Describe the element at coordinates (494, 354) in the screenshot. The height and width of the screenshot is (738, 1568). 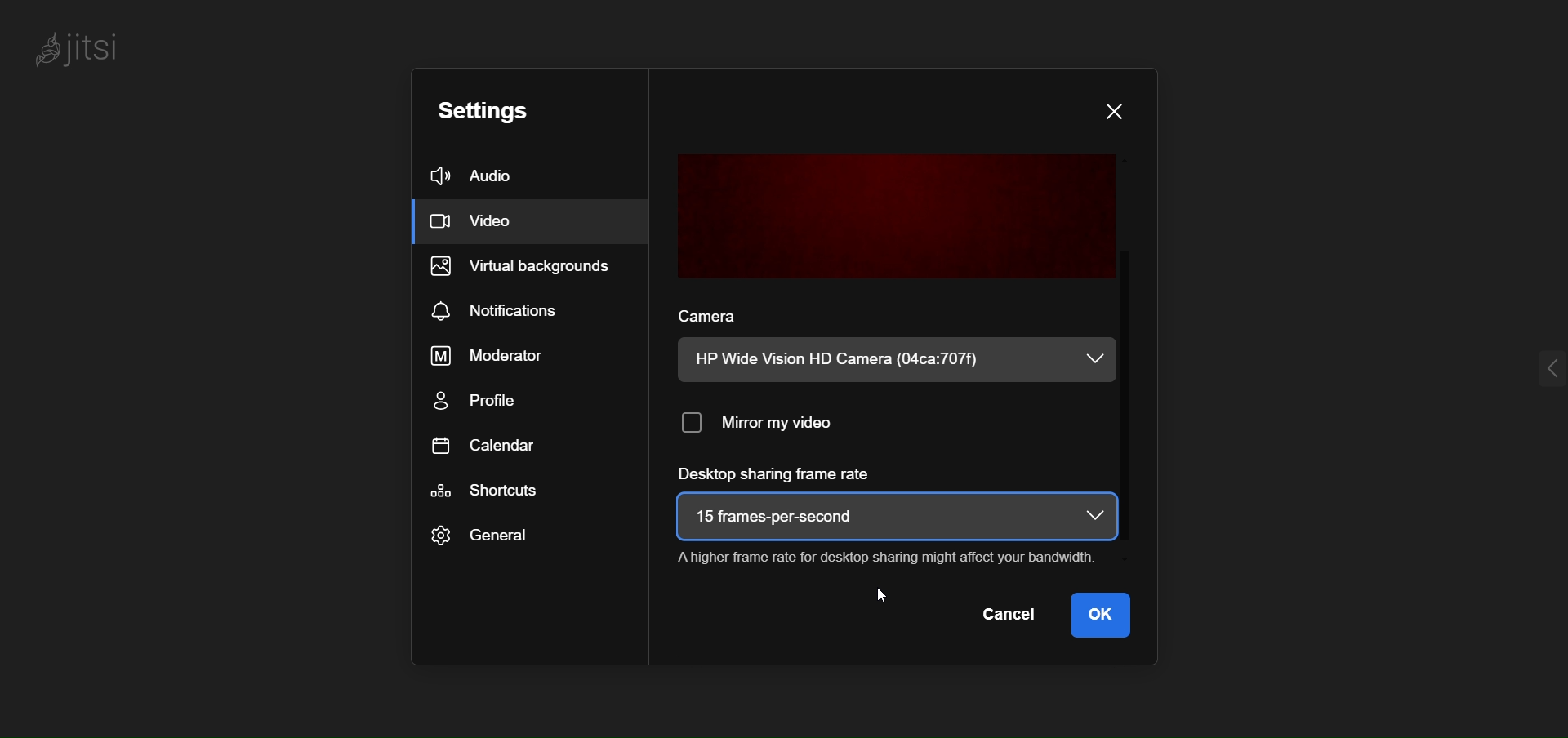
I see `moderator` at that location.